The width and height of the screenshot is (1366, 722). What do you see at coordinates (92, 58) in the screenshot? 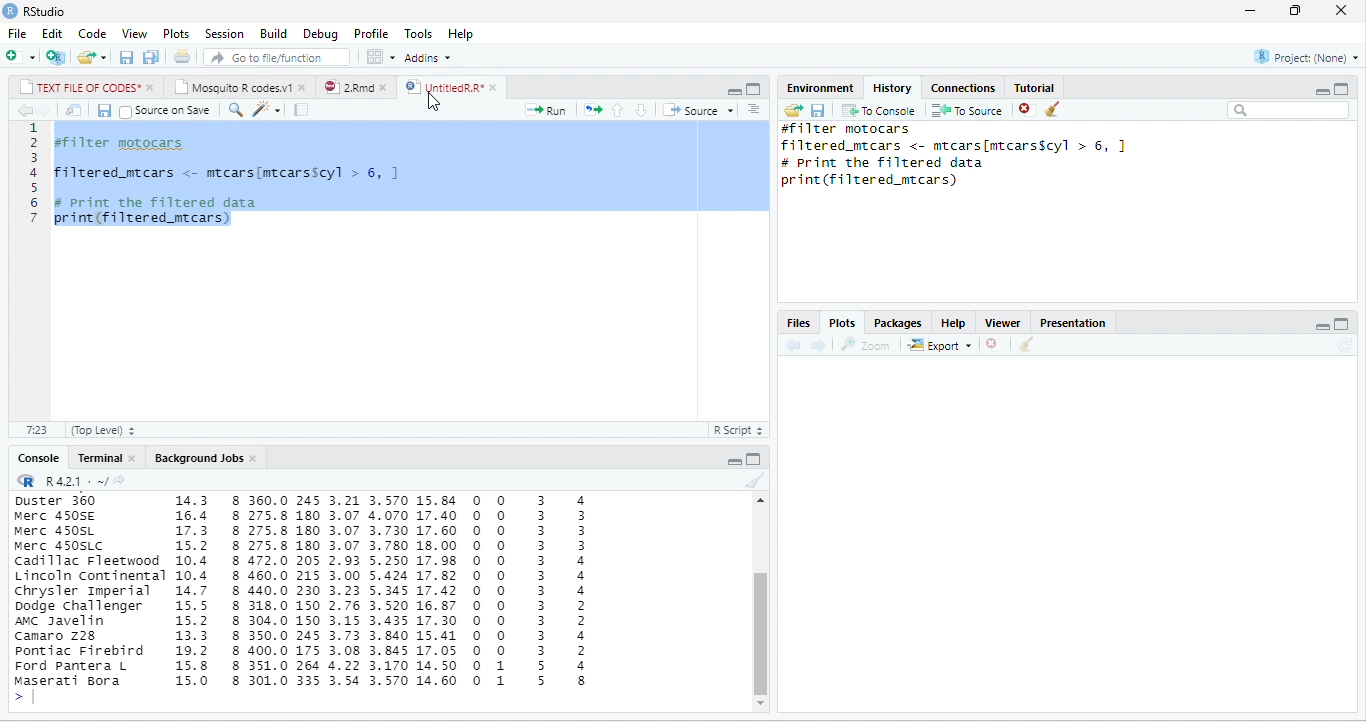
I see `open file` at bounding box center [92, 58].